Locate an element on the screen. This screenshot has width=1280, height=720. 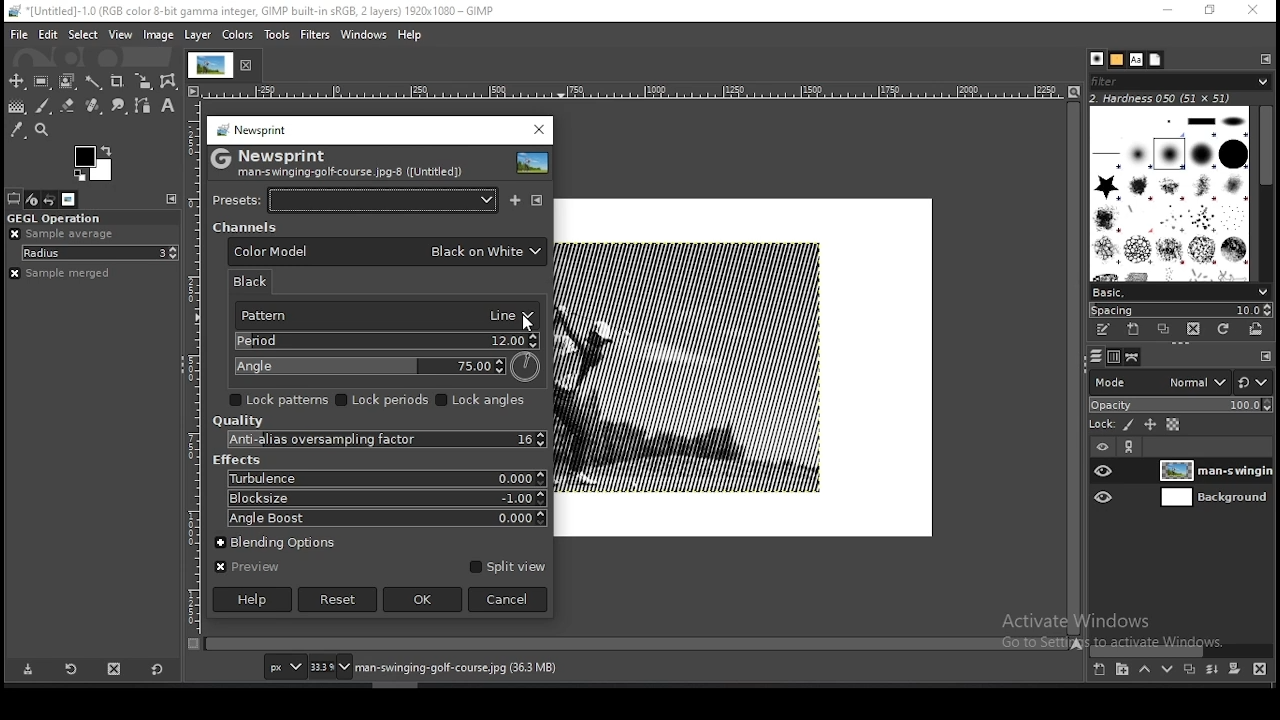
colors is located at coordinates (237, 35).